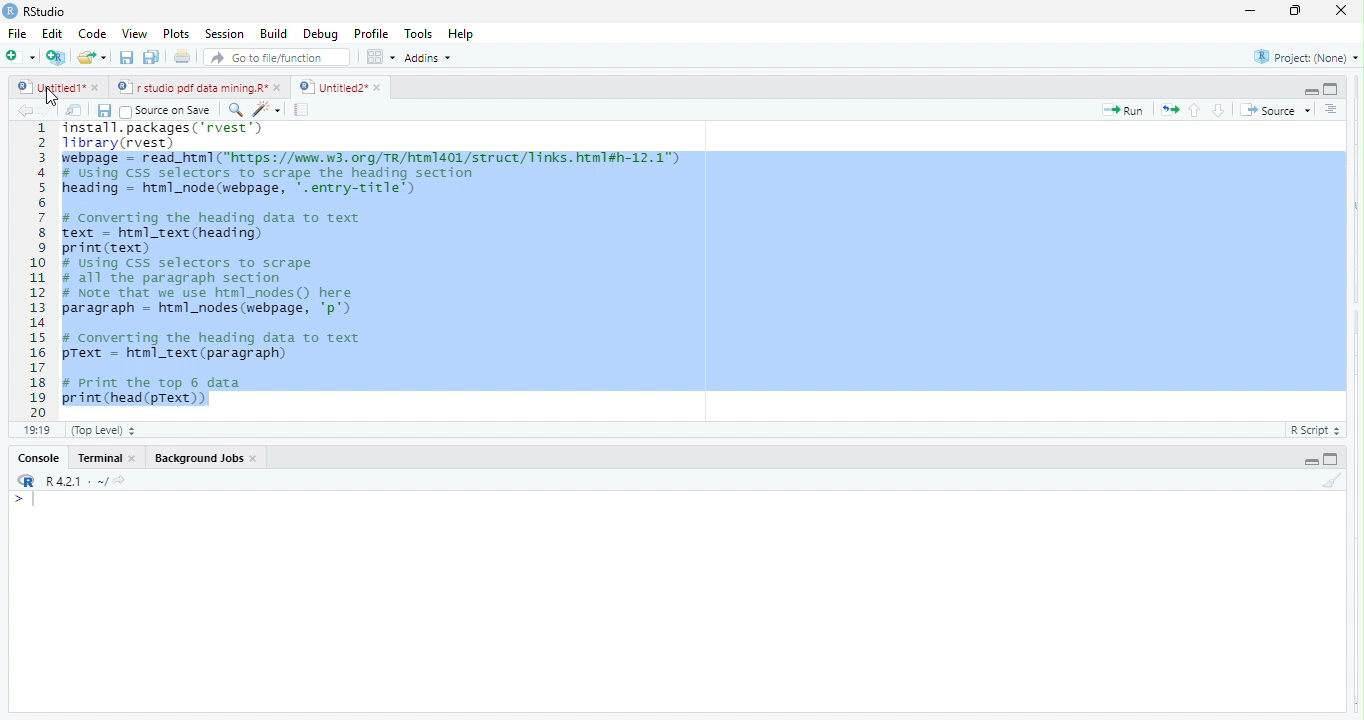  Describe the element at coordinates (126, 58) in the screenshot. I see `save current document` at that location.